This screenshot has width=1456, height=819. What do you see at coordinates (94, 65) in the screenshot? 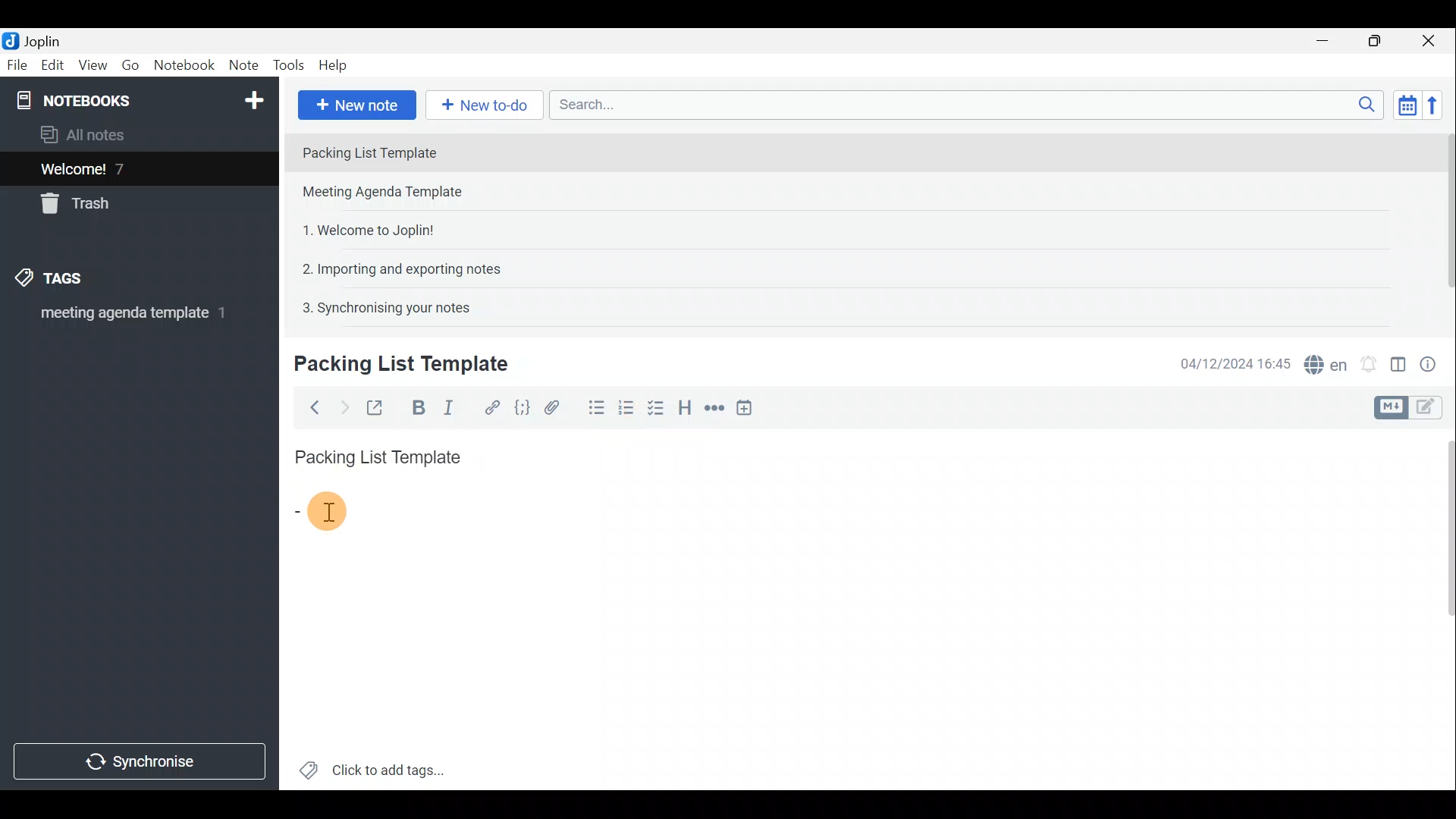
I see `View` at bounding box center [94, 65].